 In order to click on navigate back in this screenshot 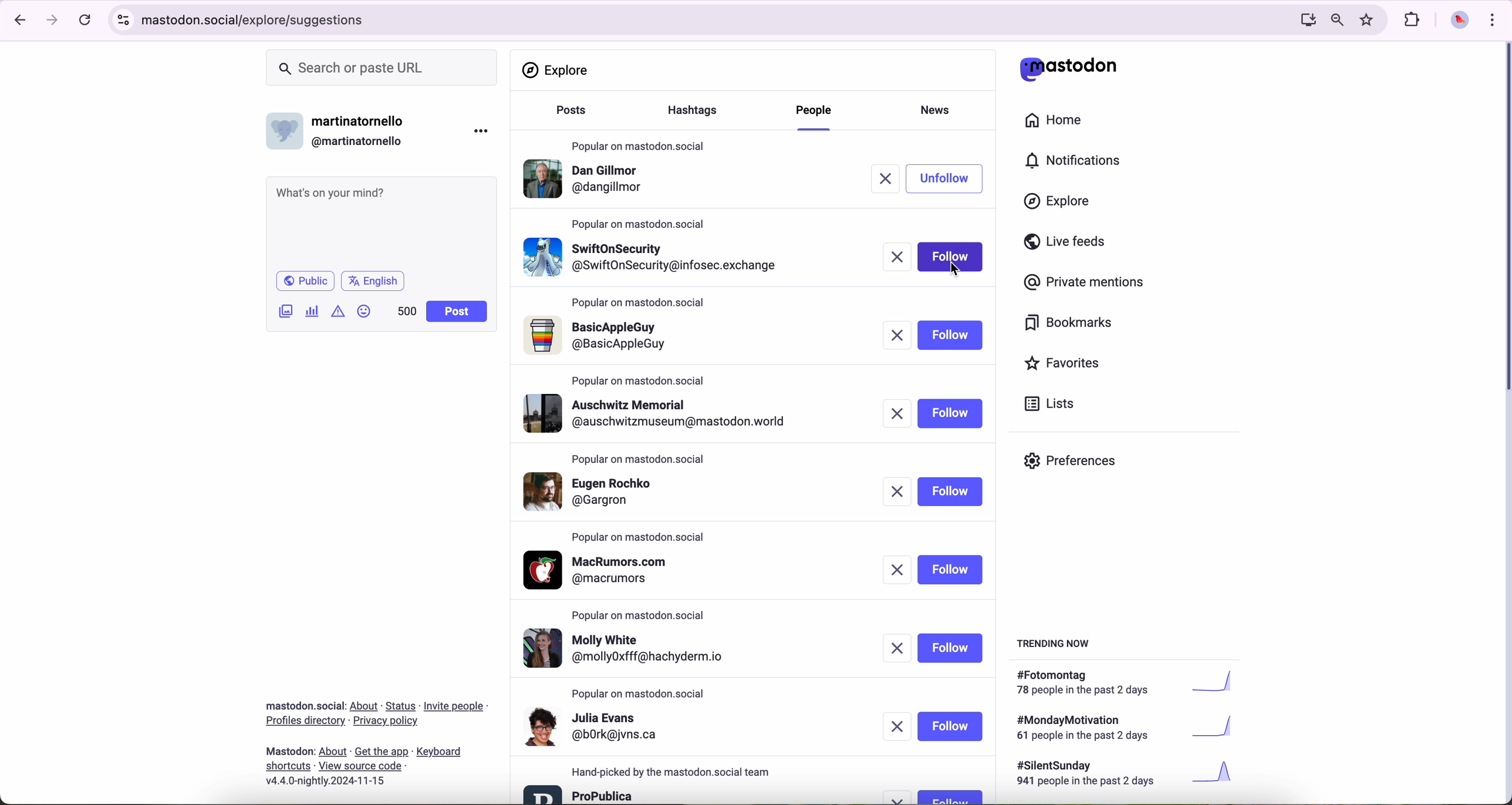, I will do `click(16, 19)`.